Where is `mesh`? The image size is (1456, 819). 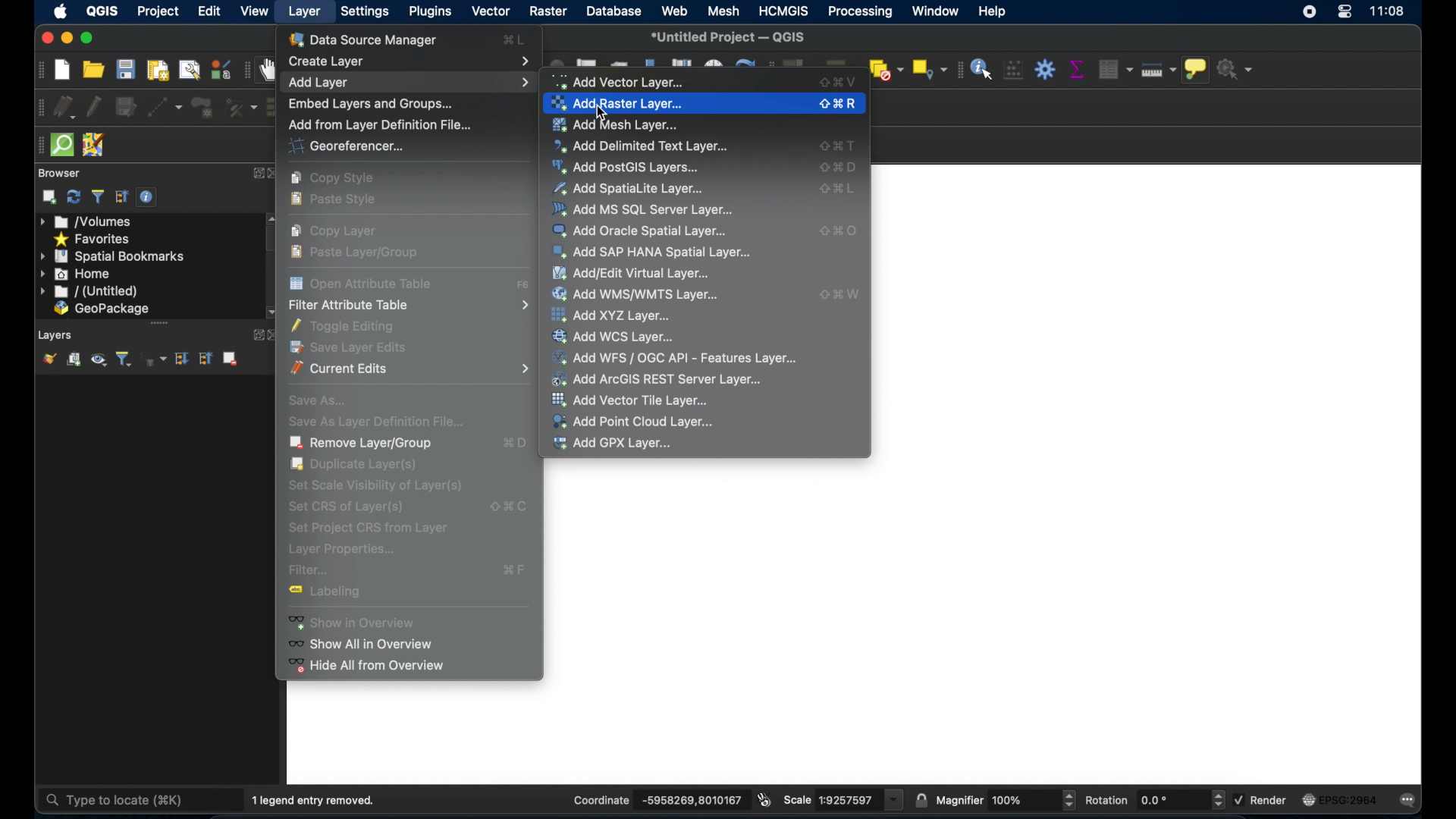
mesh is located at coordinates (722, 12).